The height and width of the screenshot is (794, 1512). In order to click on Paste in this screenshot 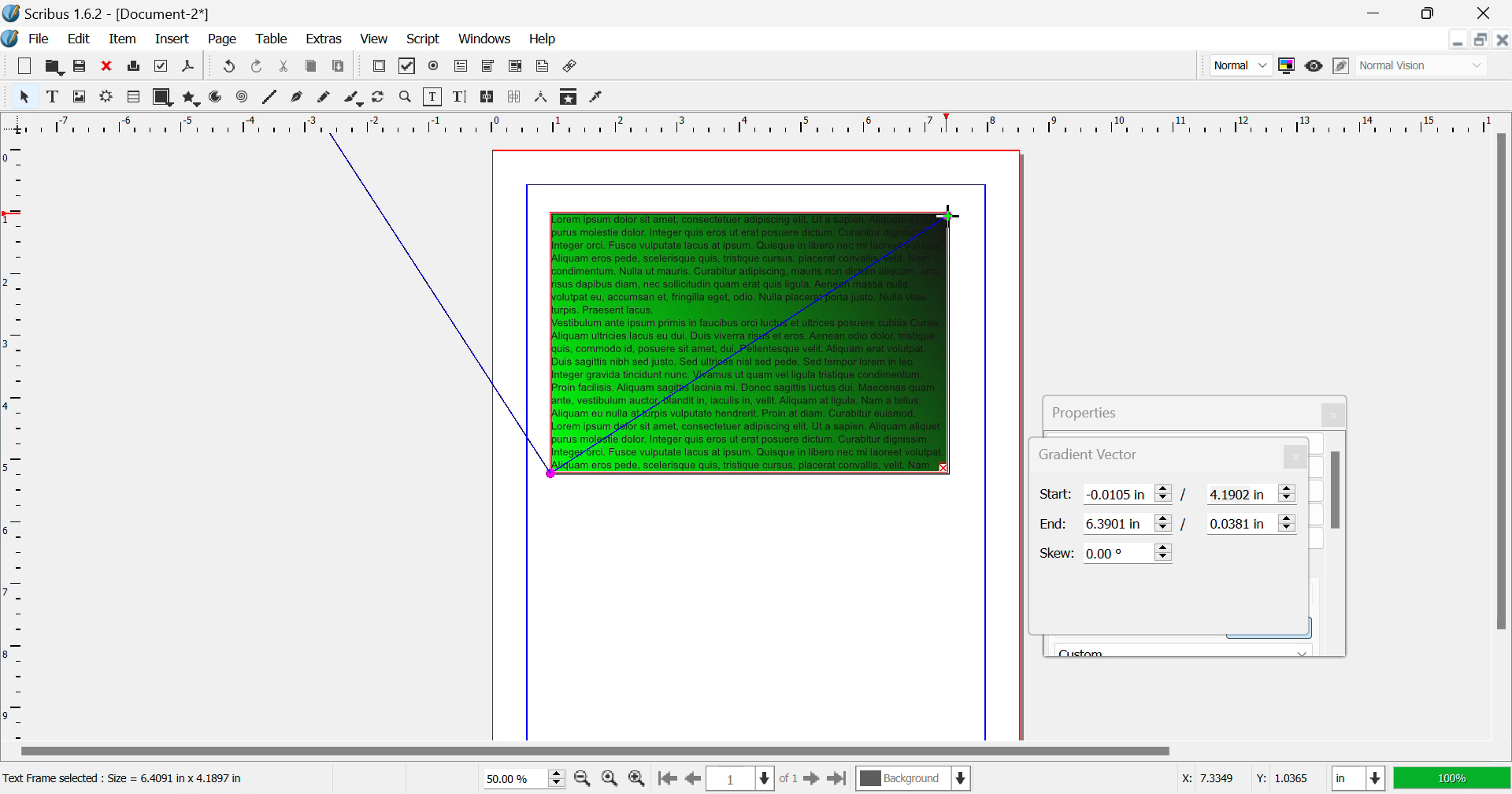, I will do `click(340, 69)`.